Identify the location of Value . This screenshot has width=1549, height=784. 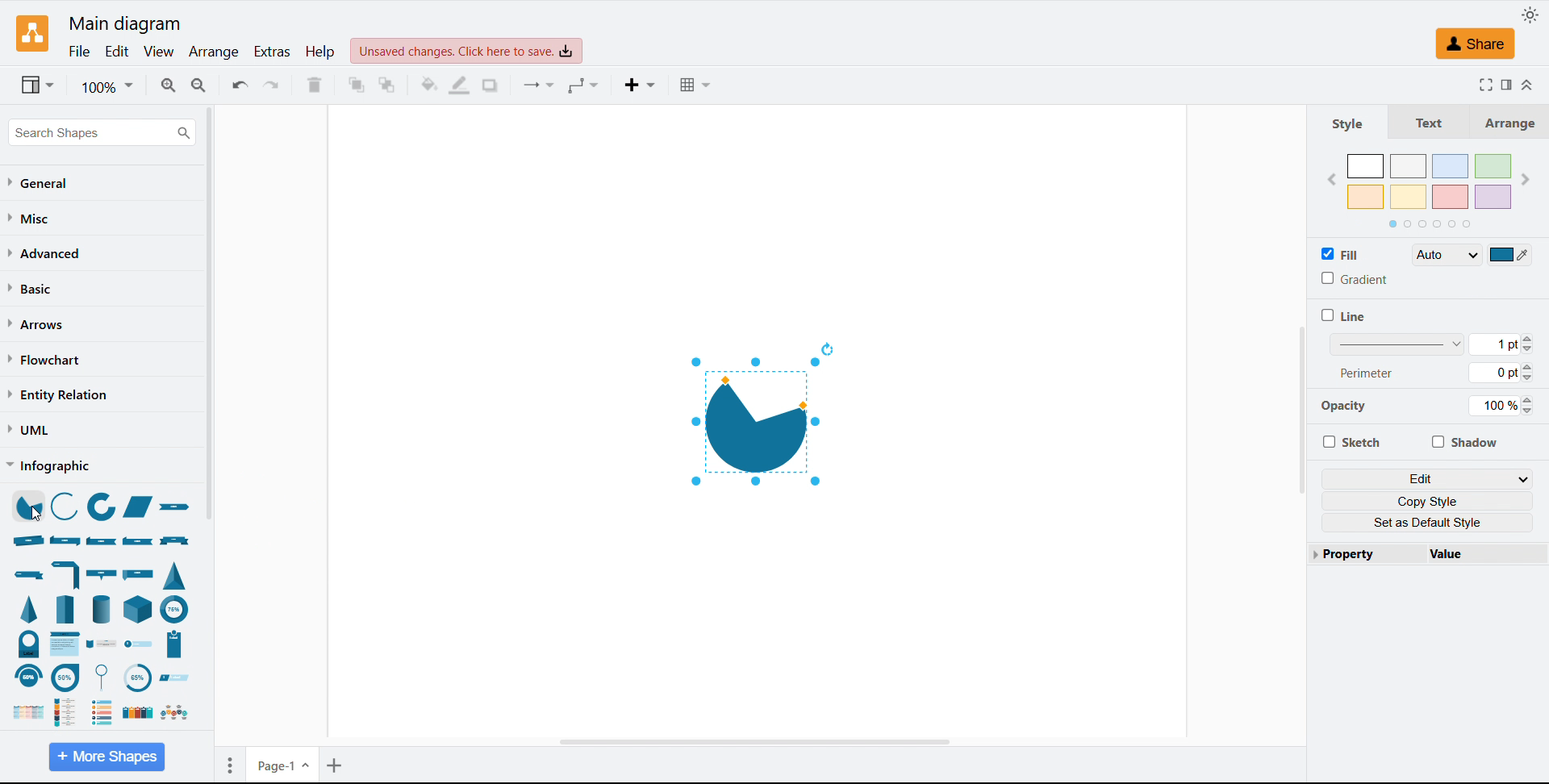
(1488, 554).